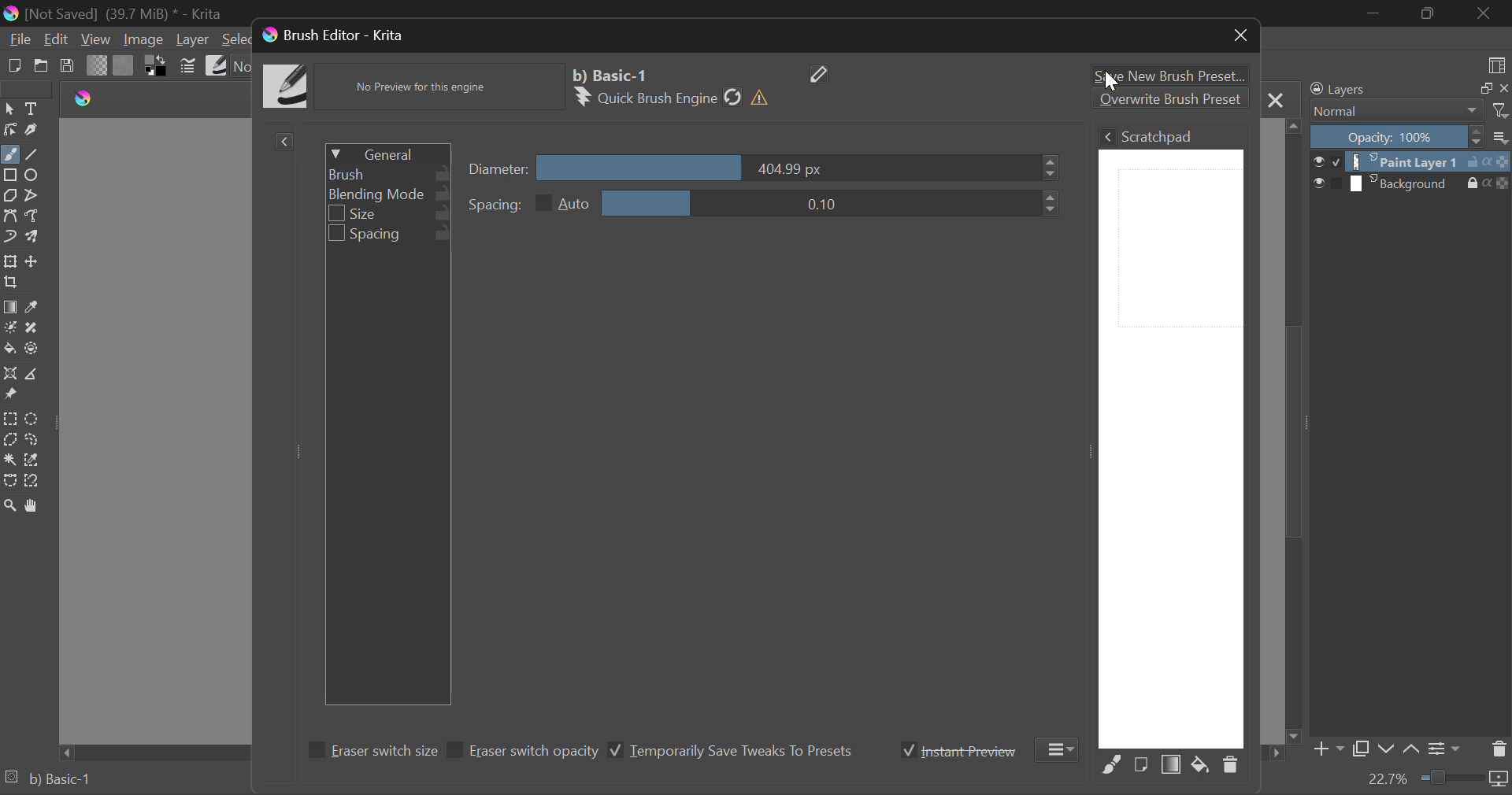 The image size is (1512, 795). What do you see at coordinates (1484, 13) in the screenshot?
I see `Close` at bounding box center [1484, 13].